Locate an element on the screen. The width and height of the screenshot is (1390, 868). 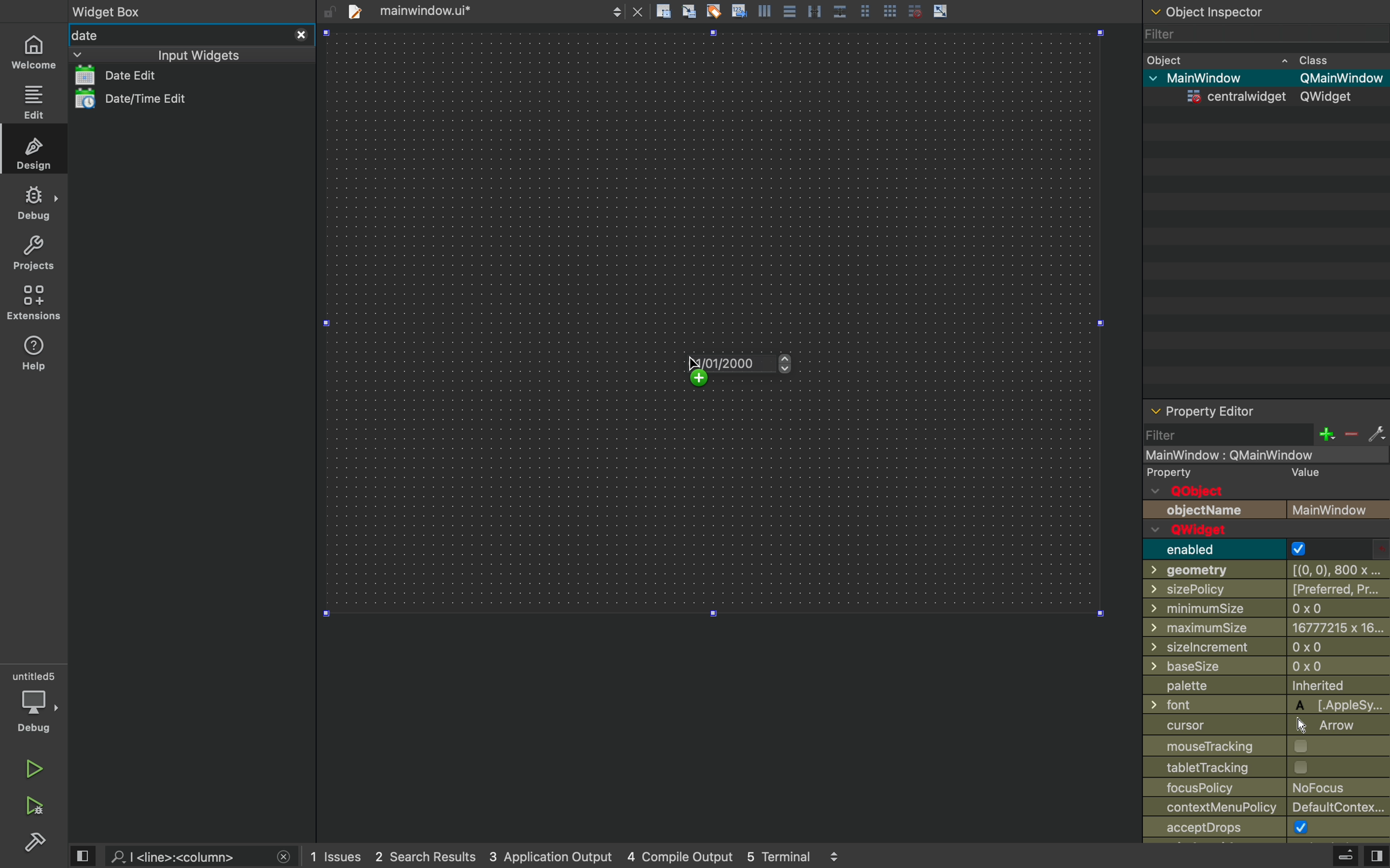
design area is located at coordinates (712, 321).